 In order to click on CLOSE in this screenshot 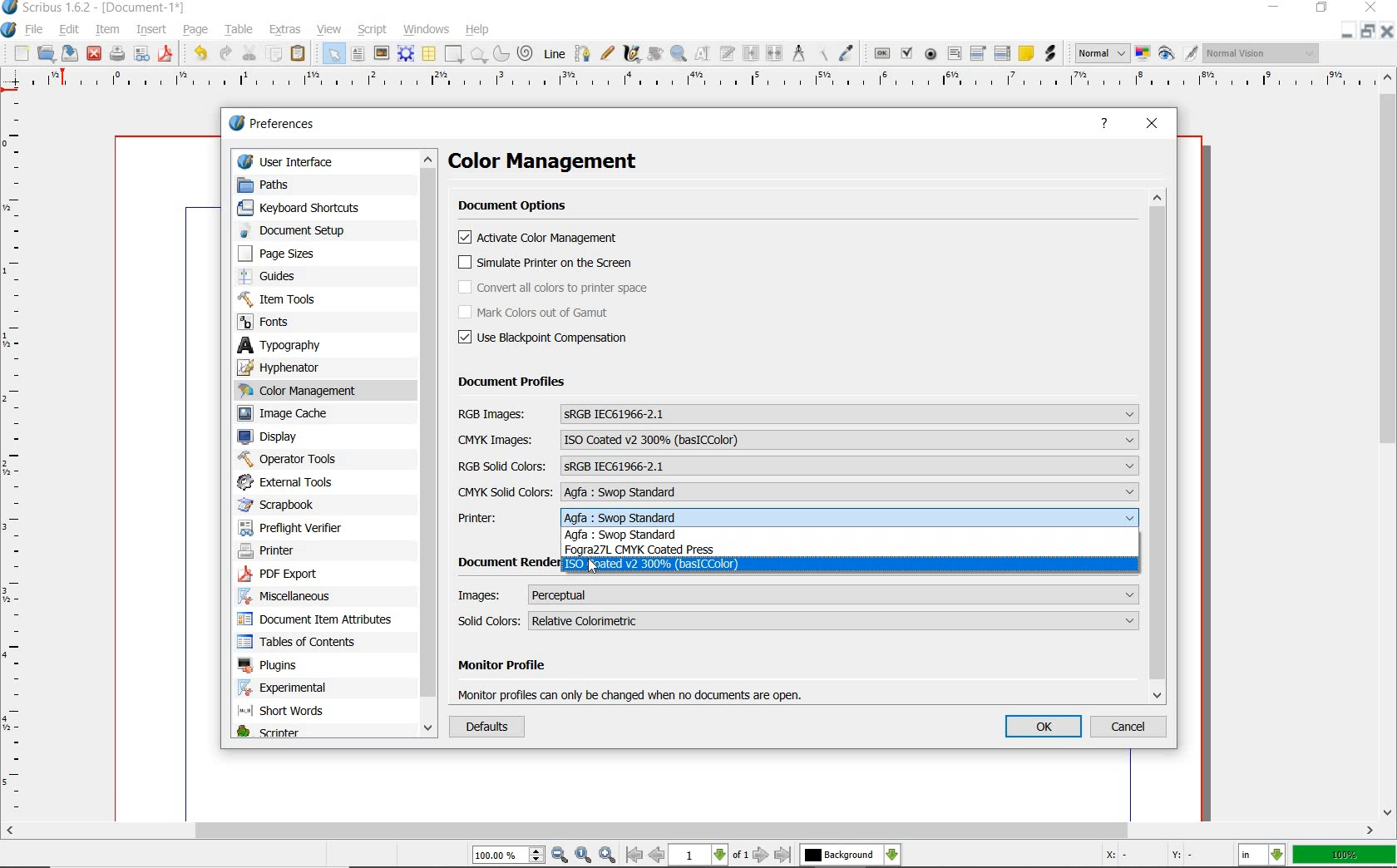, I will do `click(1153, 125)`.